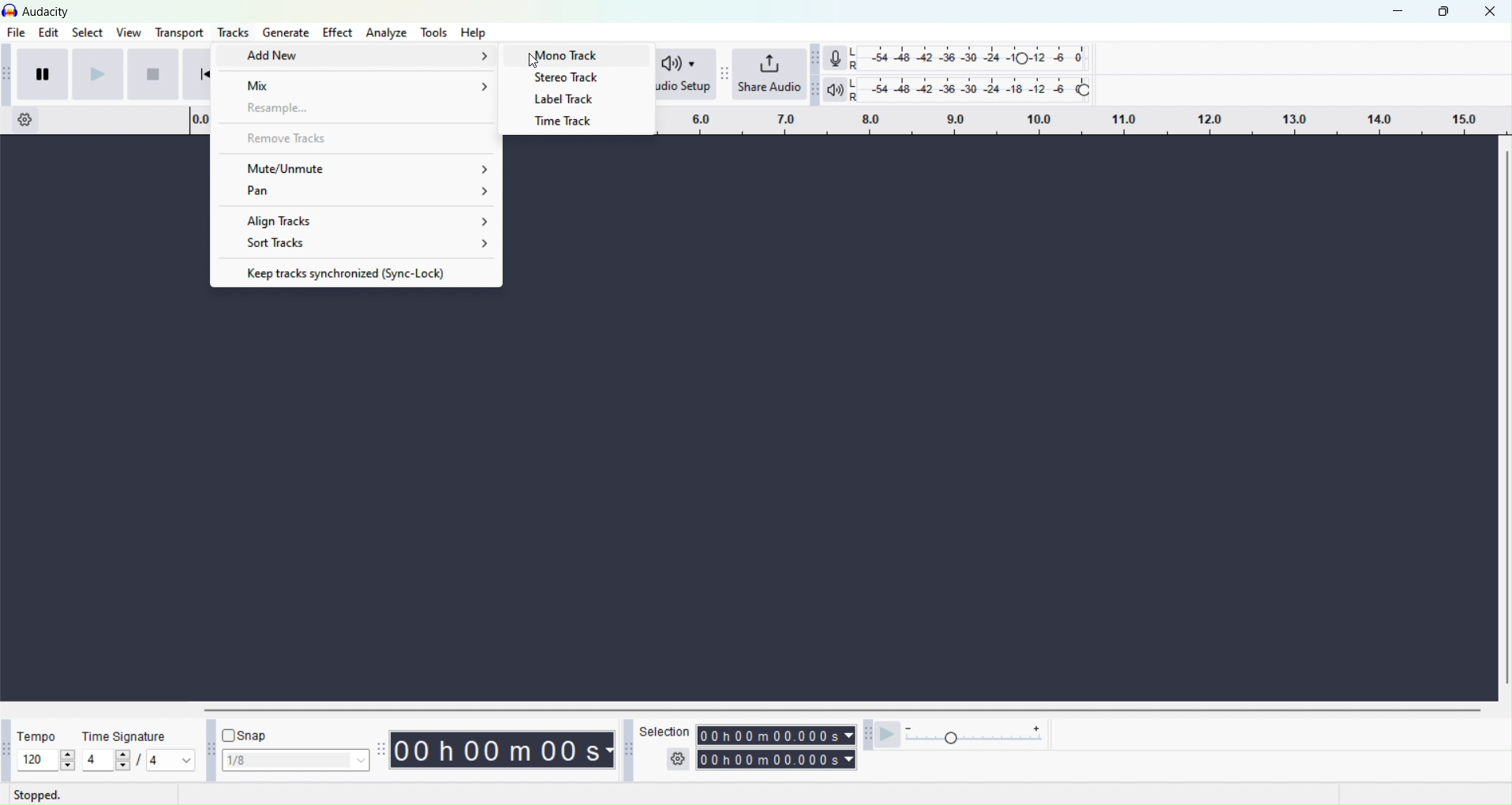  What do you see at coordinates (357, 110) in the screenshot?
I see `Resemble` at bounding box center [357, 110].